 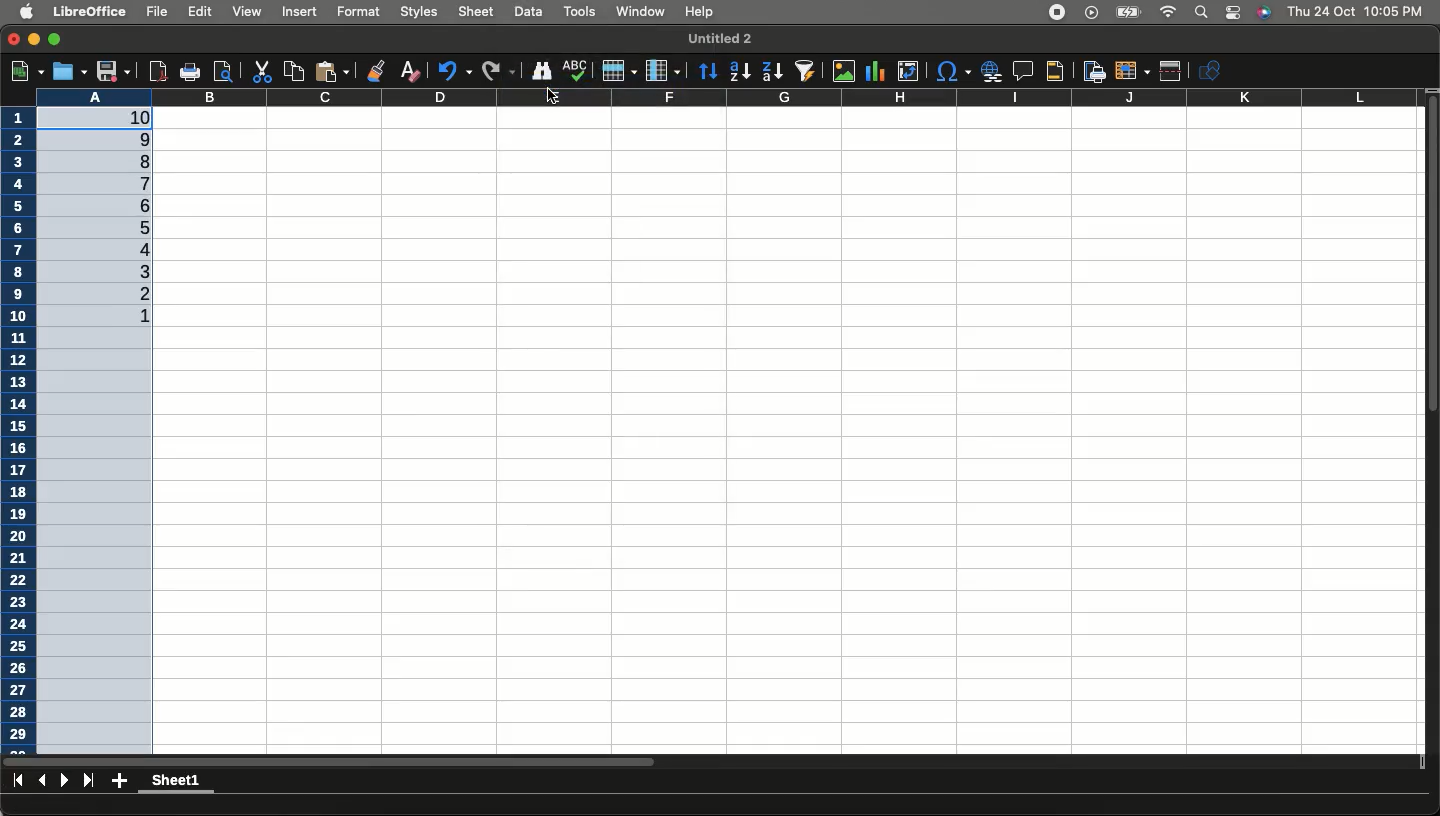 I want to click on Clone formatting, so click(x=378, y=69).